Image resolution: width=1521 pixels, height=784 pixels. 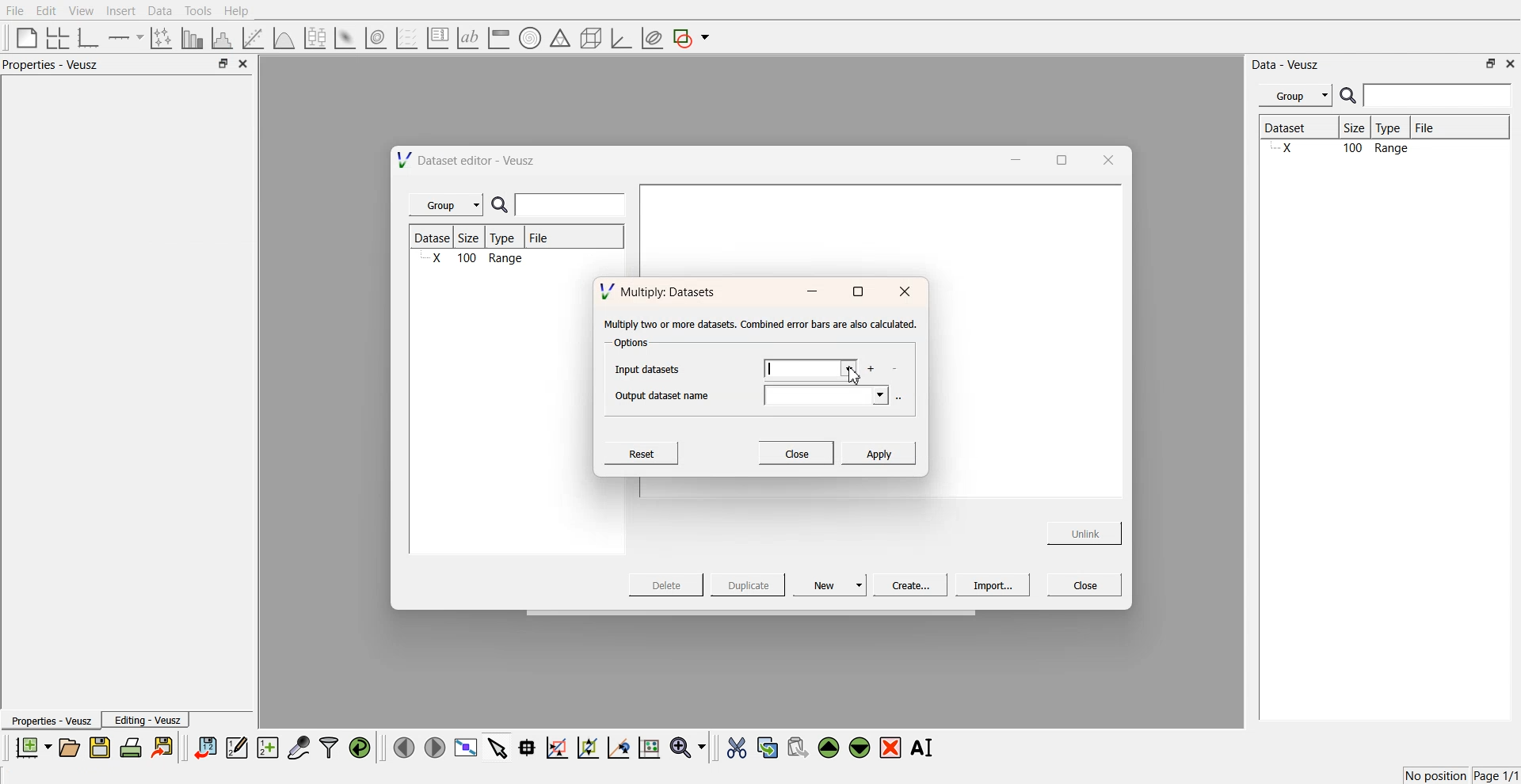 What do you see at coordinates (529, 40) in the screenshot?
I see `polar graph` at bounding box center [529, 40].